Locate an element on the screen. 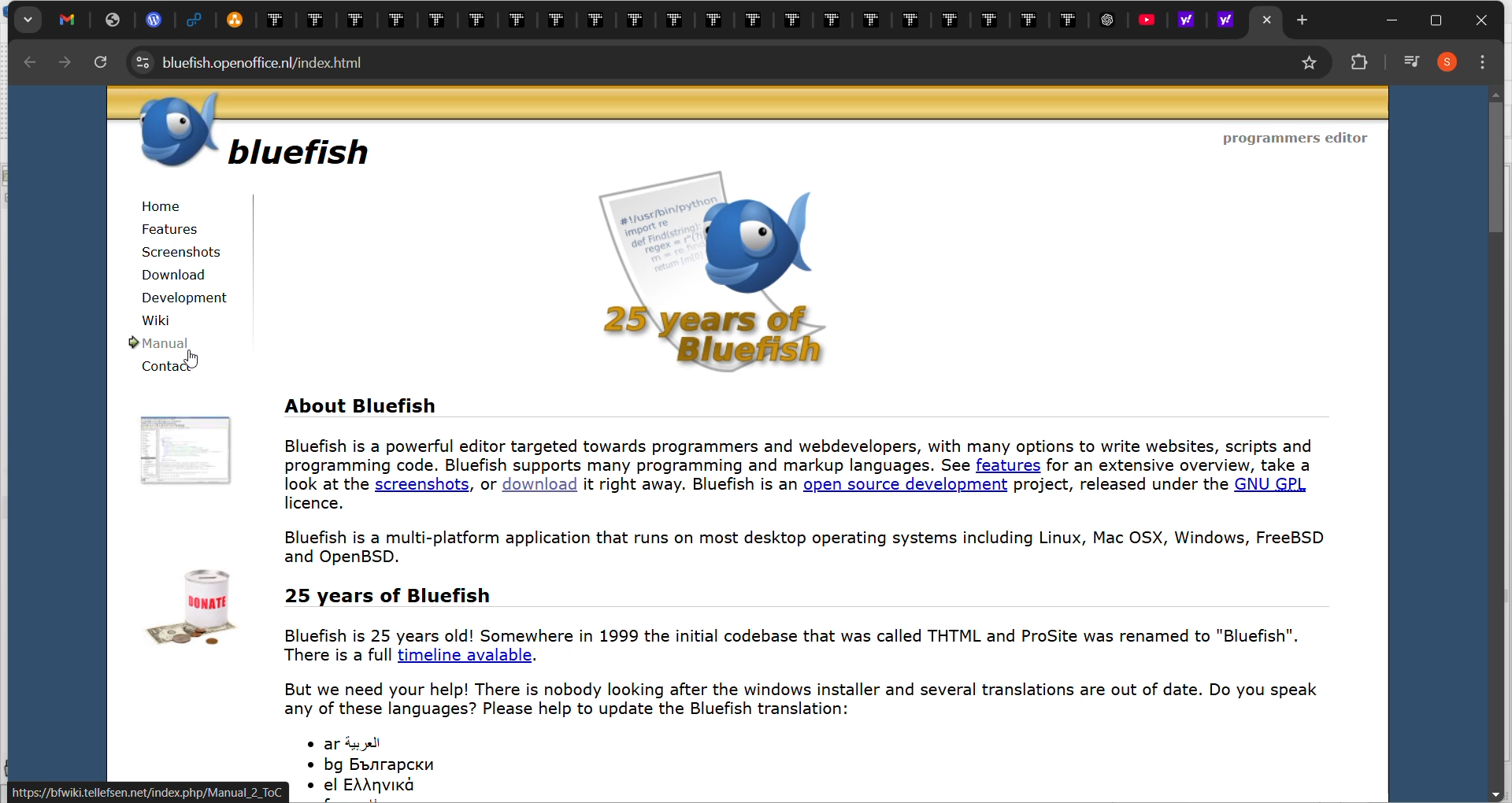  previous page is located at coordinates (31, 66).